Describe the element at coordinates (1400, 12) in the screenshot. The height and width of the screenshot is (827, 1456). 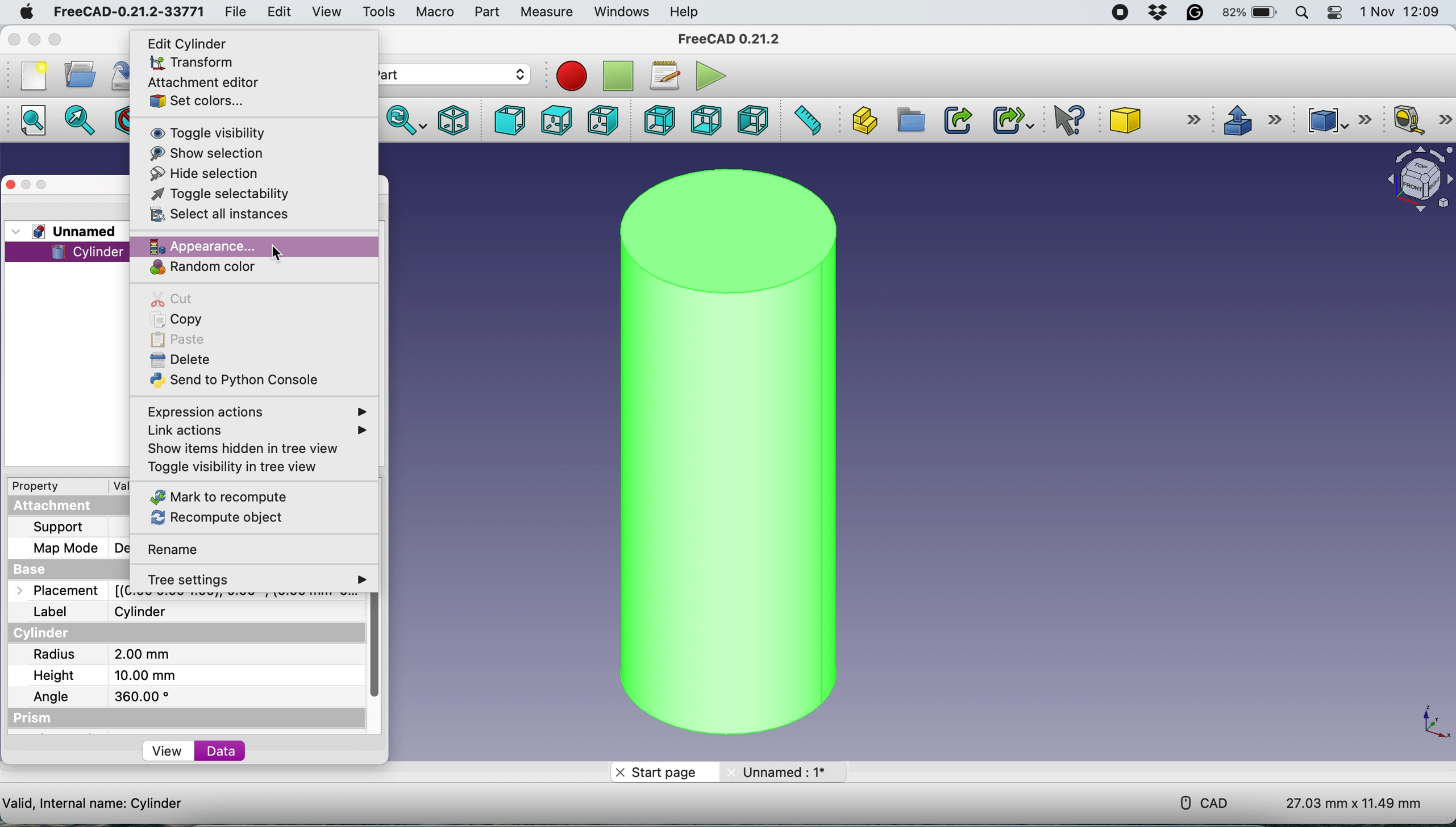
I see `date and time` at that location.